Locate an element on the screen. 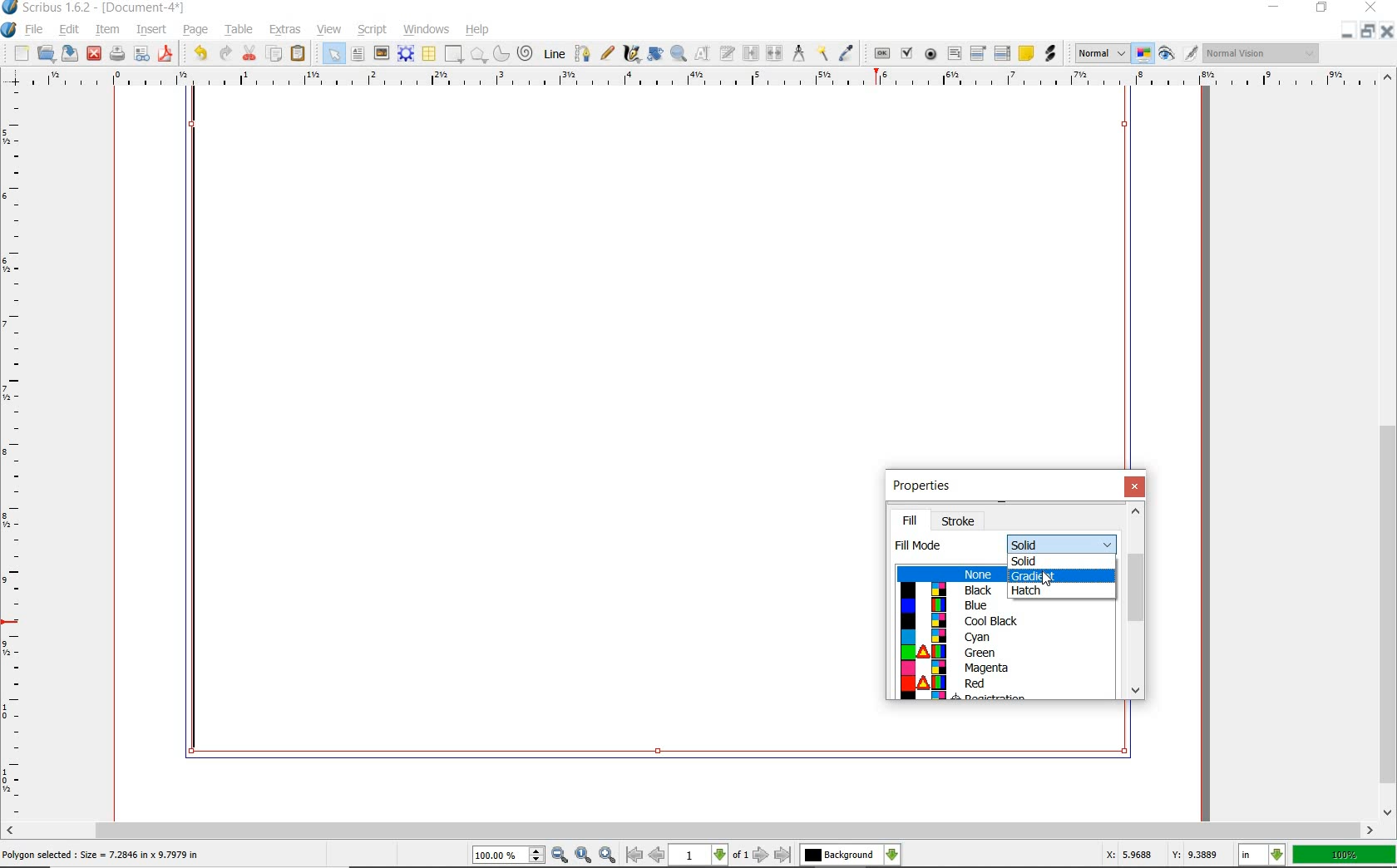 Image resolution: width=1397 pixels, height=868 pixels. restore is located at coordinates (1368, 32).